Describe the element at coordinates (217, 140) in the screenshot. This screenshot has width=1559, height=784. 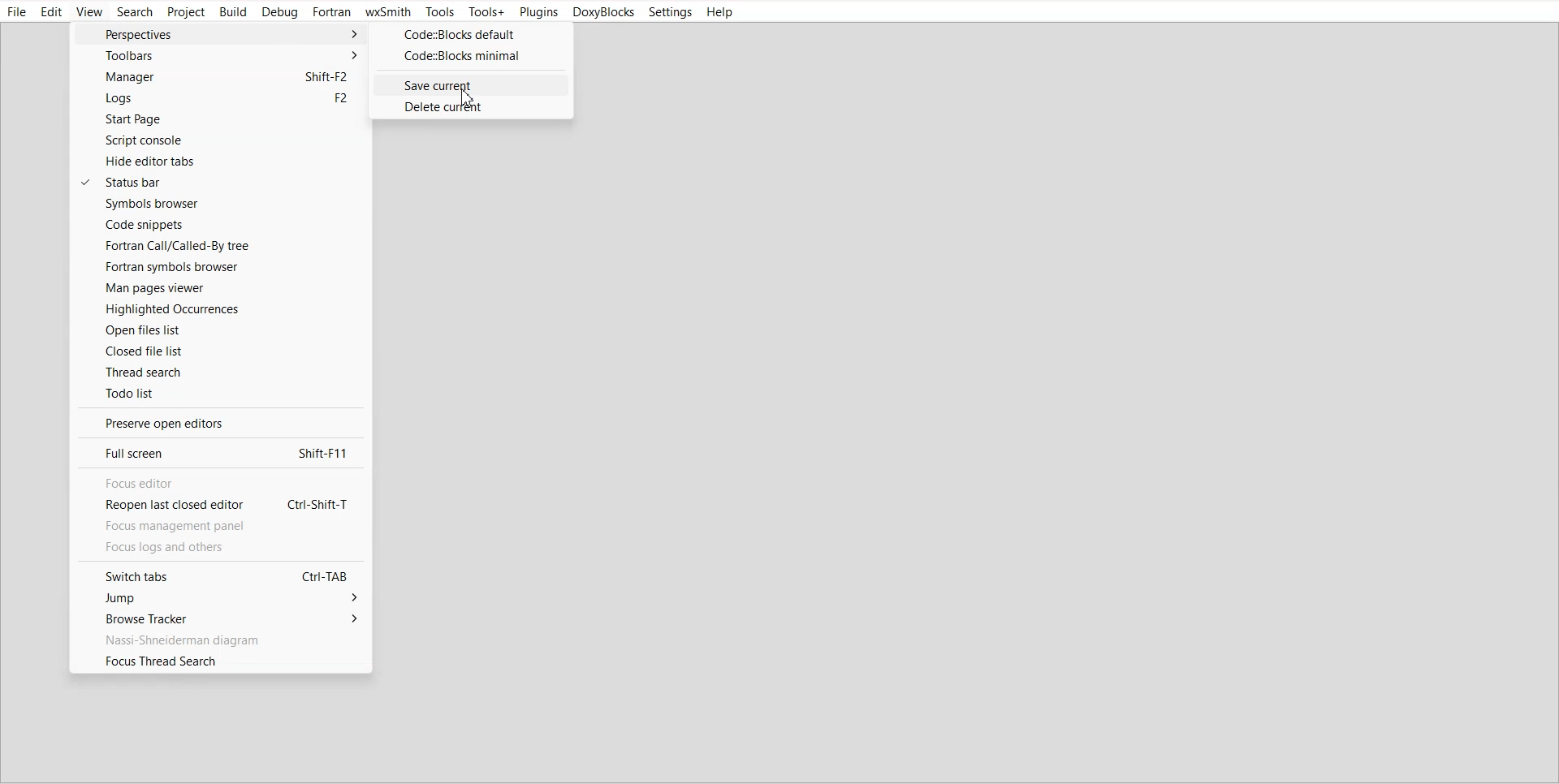
I see `Script console` at that location.